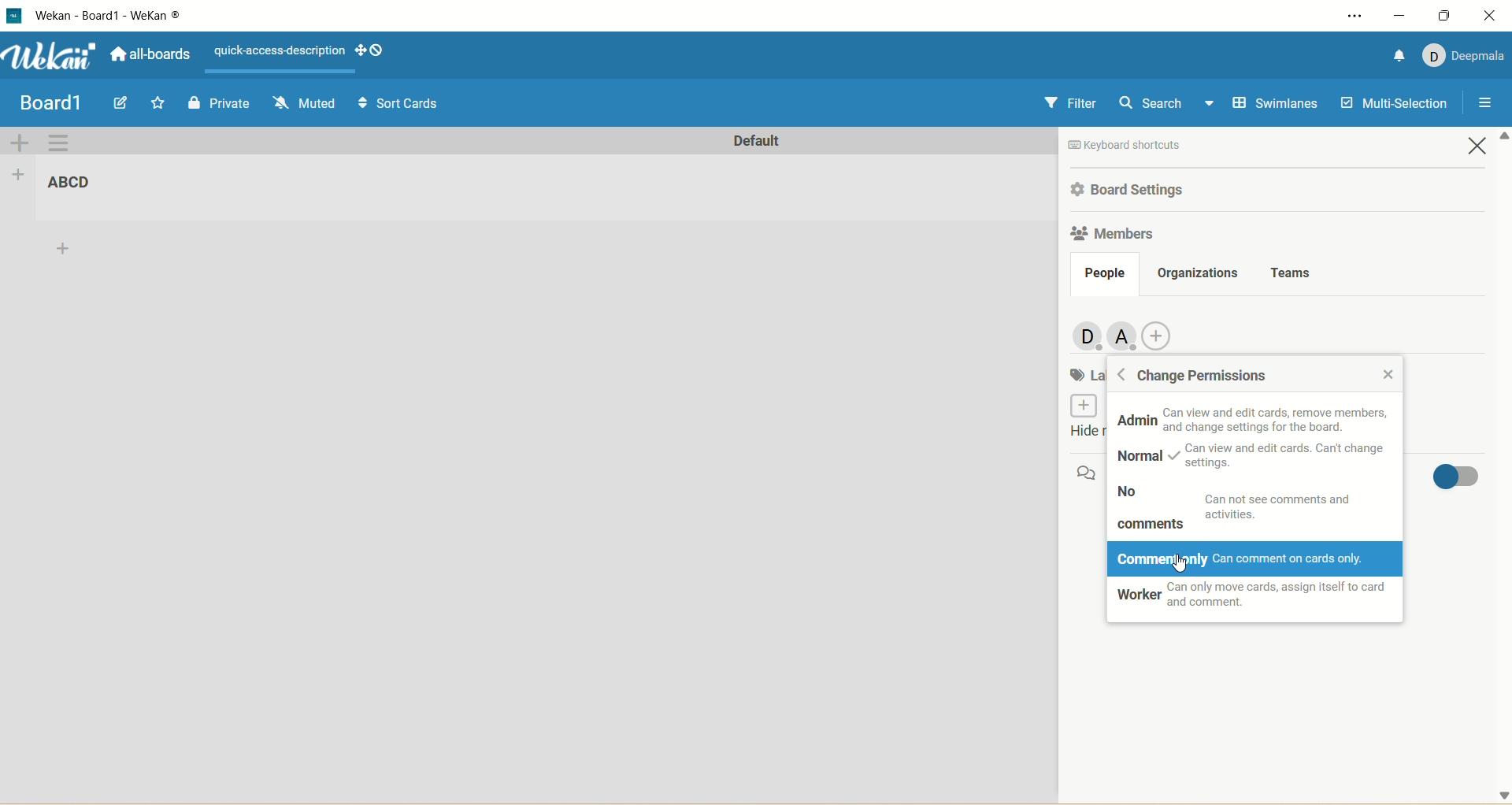 The image size is (1512, 805). I want to click on comment only, so click(1258, 559).